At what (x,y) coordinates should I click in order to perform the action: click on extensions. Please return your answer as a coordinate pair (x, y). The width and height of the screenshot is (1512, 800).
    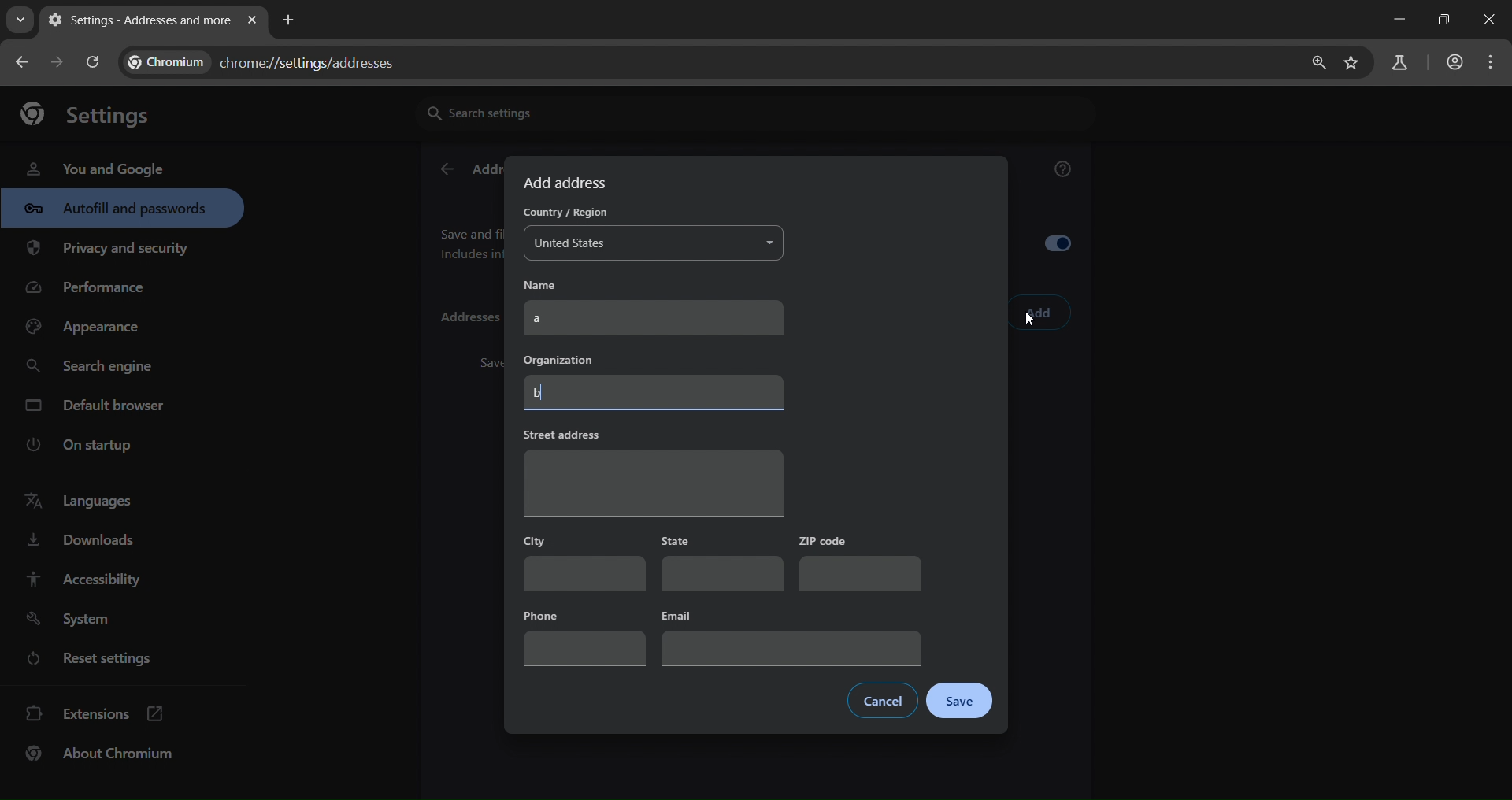
    Looking at the image, I should click on (95, 712).